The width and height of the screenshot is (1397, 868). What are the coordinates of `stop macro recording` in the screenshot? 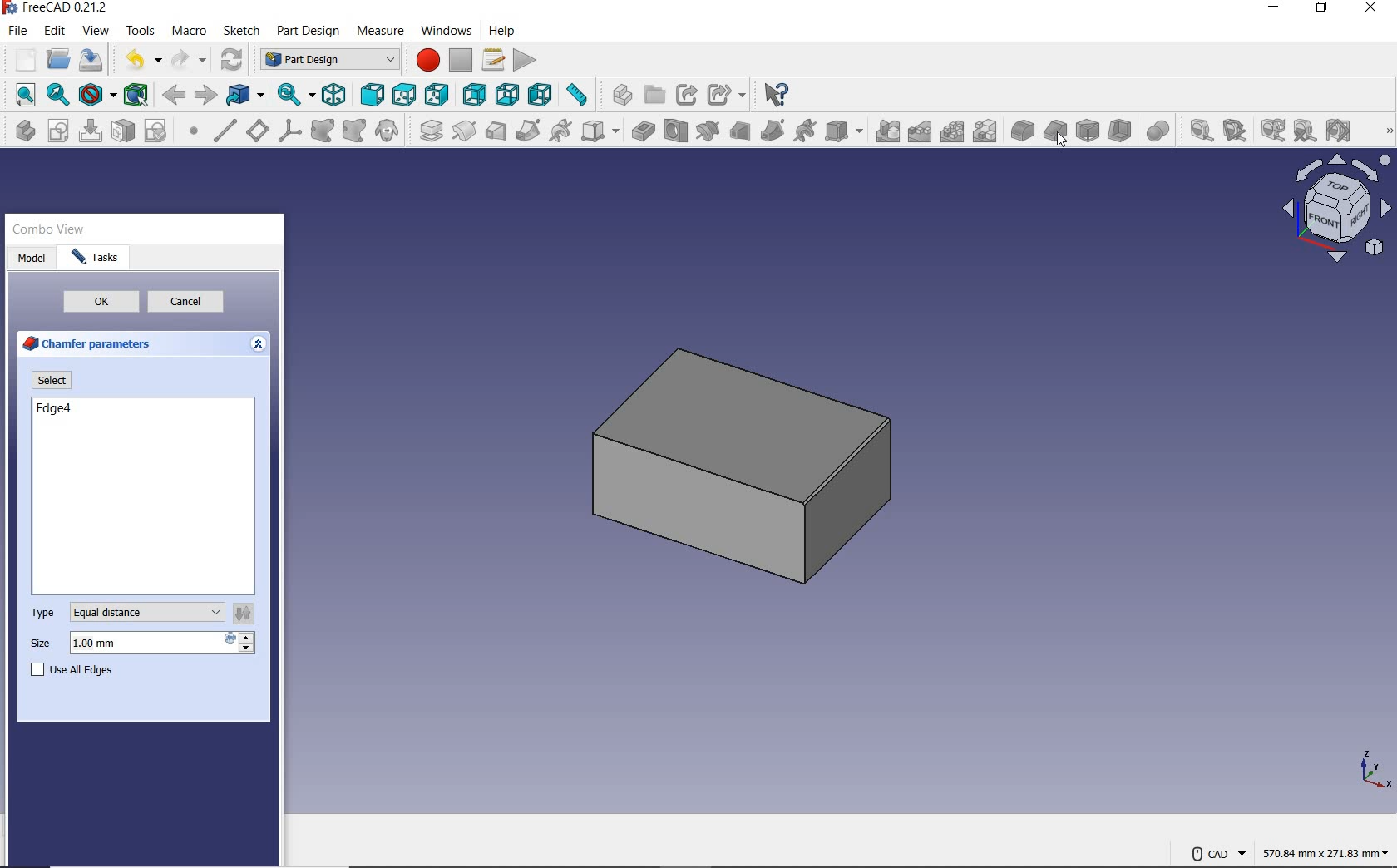 It's located at (461, 62).